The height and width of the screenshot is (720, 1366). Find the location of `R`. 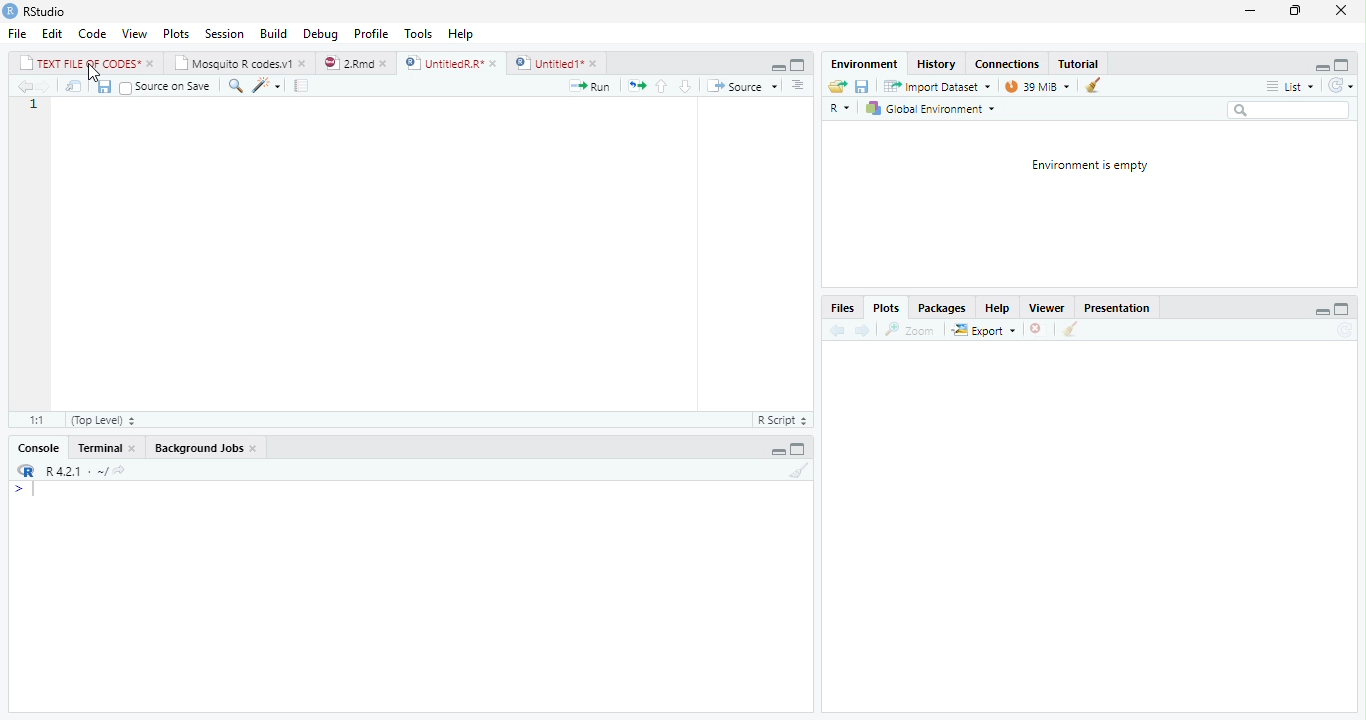

R is located at coordinates (24, 470).